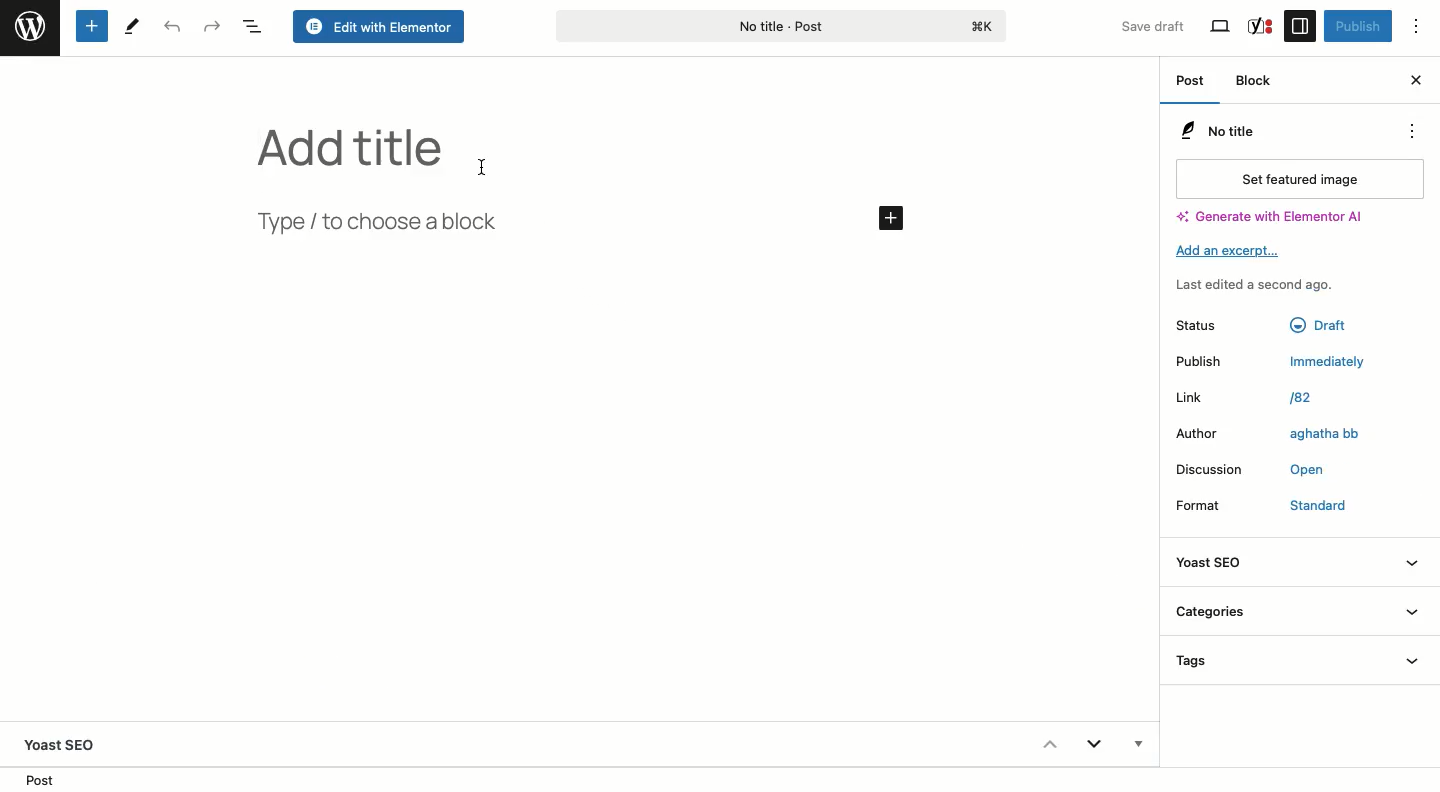 This screenshot has width=1440, height=792. I want to click on Document overview, so click(253, 28).